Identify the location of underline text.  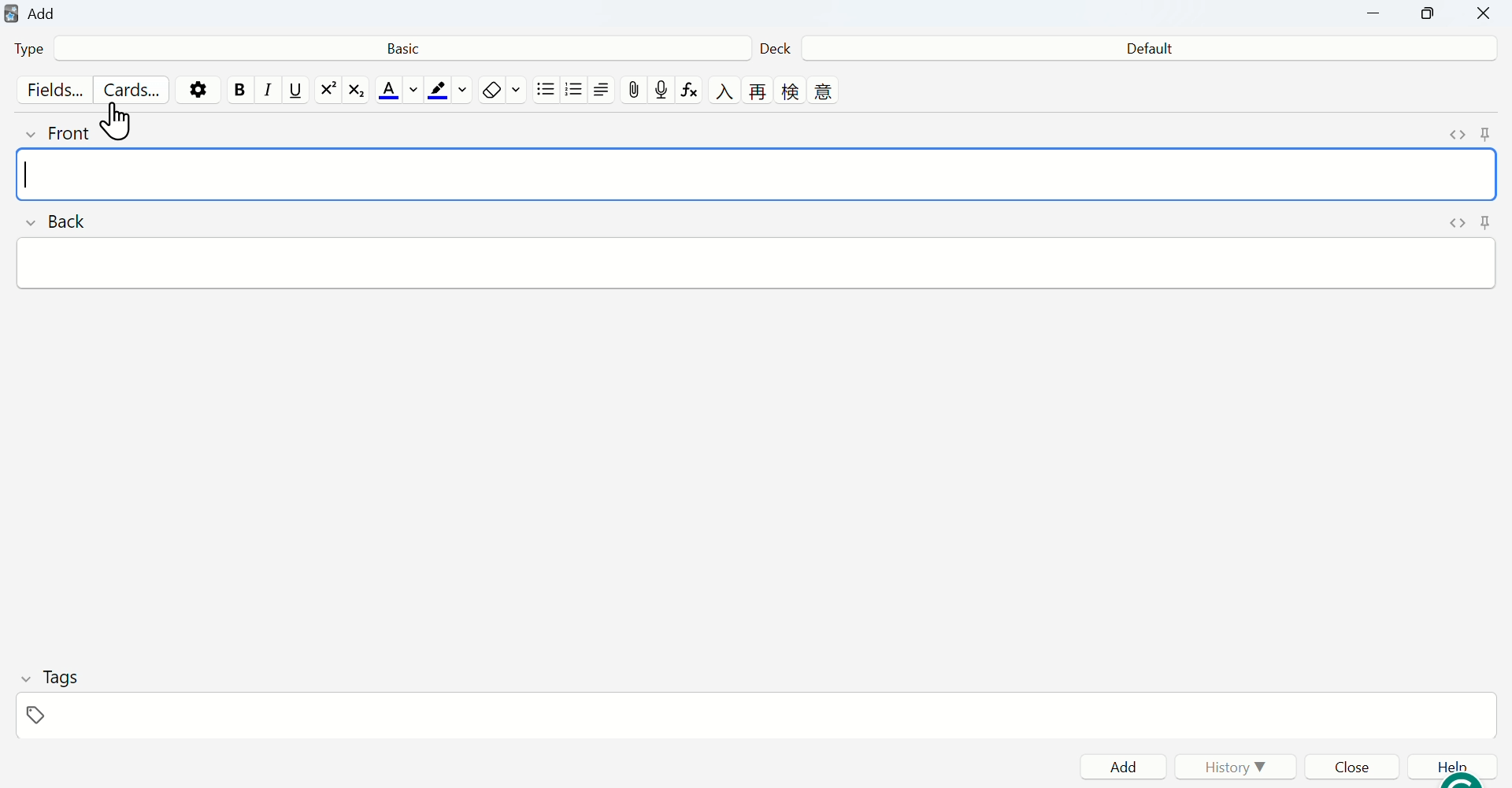
(296, 90).